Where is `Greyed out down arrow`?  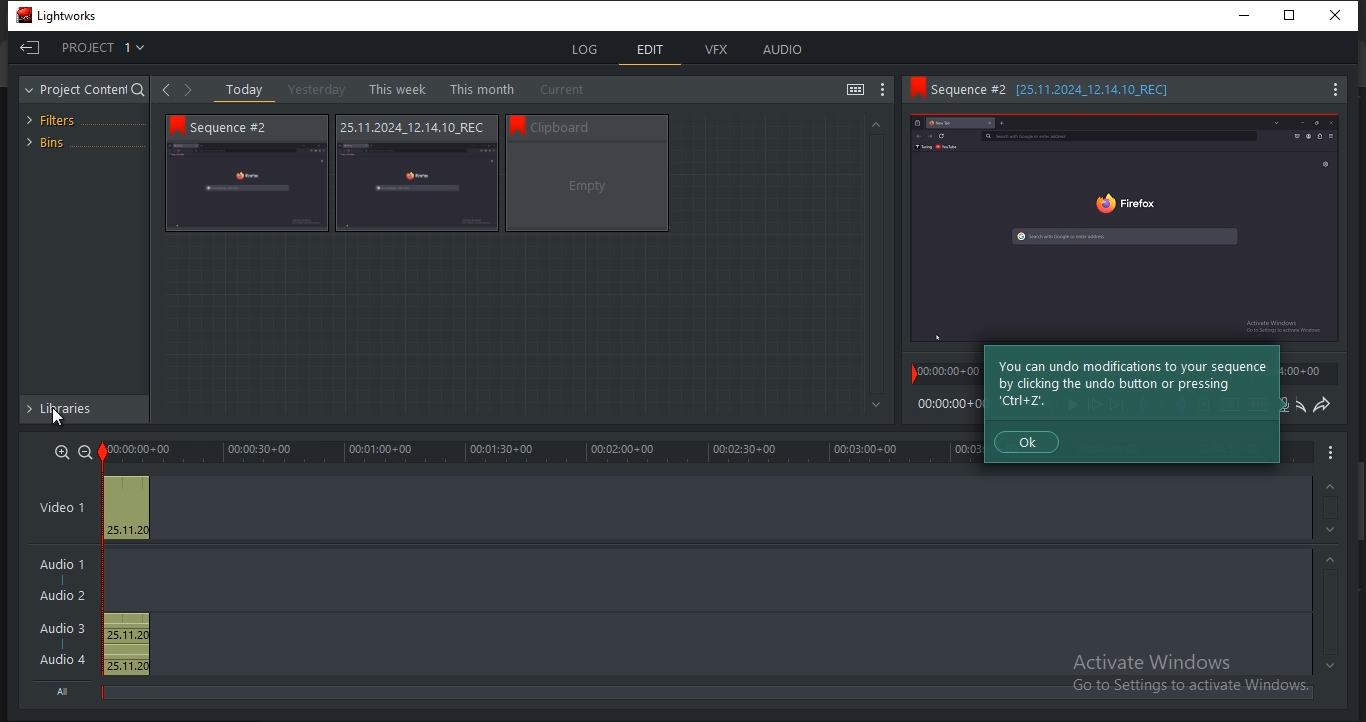 Greyed out down arrow is located at coordinates (875, 406).